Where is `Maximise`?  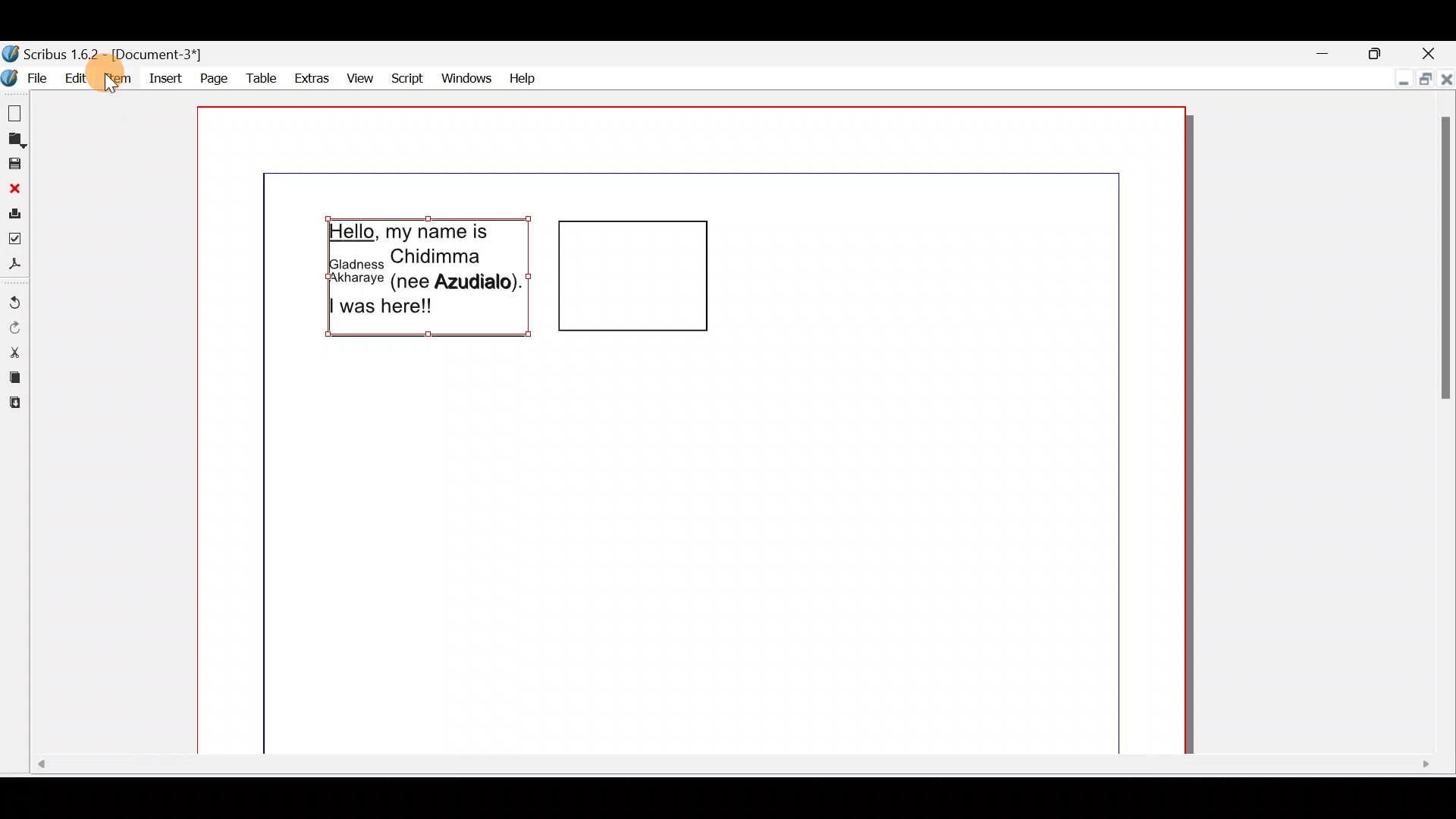
Maximise is located at coordinates (1378, 51).